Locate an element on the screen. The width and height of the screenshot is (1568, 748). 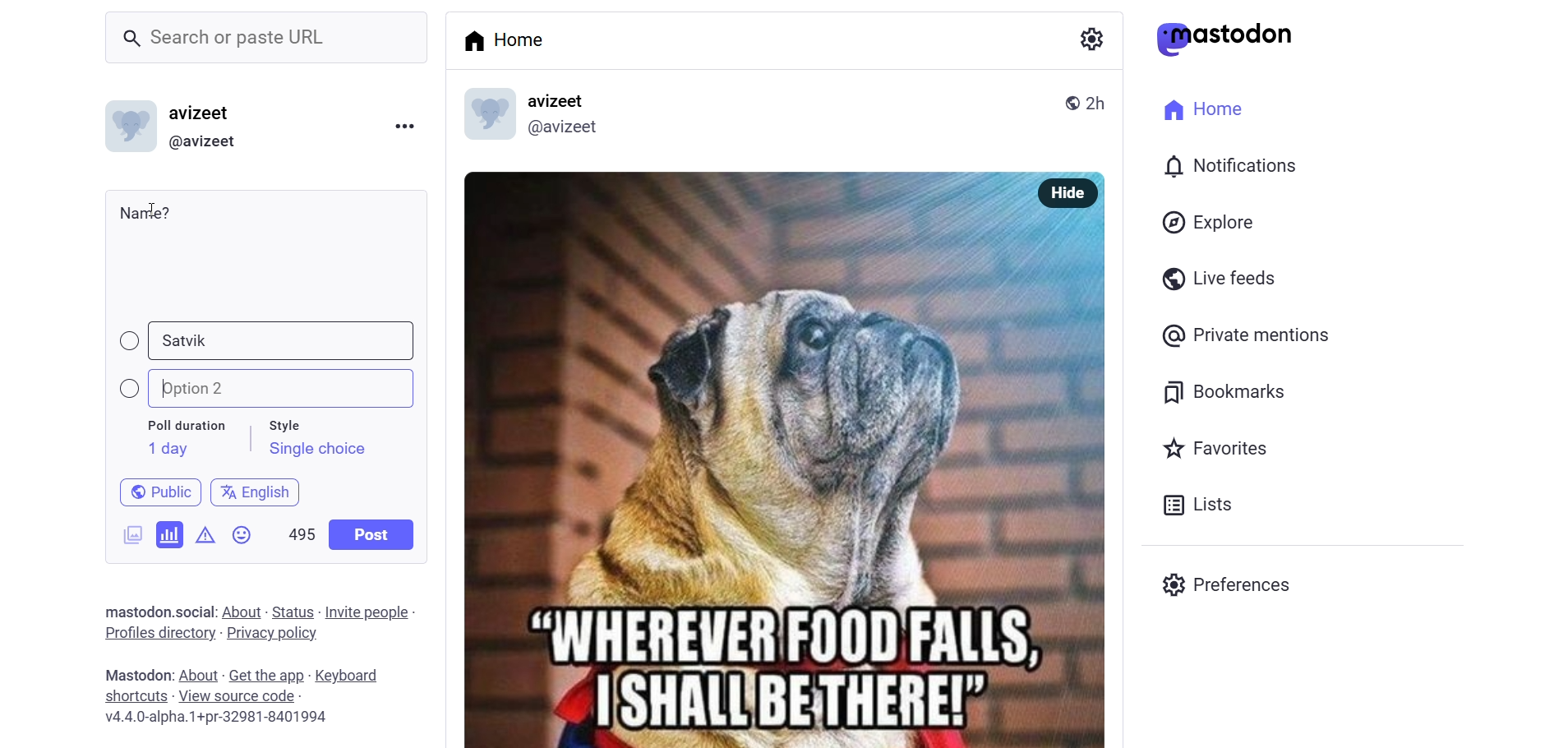
profiles is located at coordinates (159, 632).